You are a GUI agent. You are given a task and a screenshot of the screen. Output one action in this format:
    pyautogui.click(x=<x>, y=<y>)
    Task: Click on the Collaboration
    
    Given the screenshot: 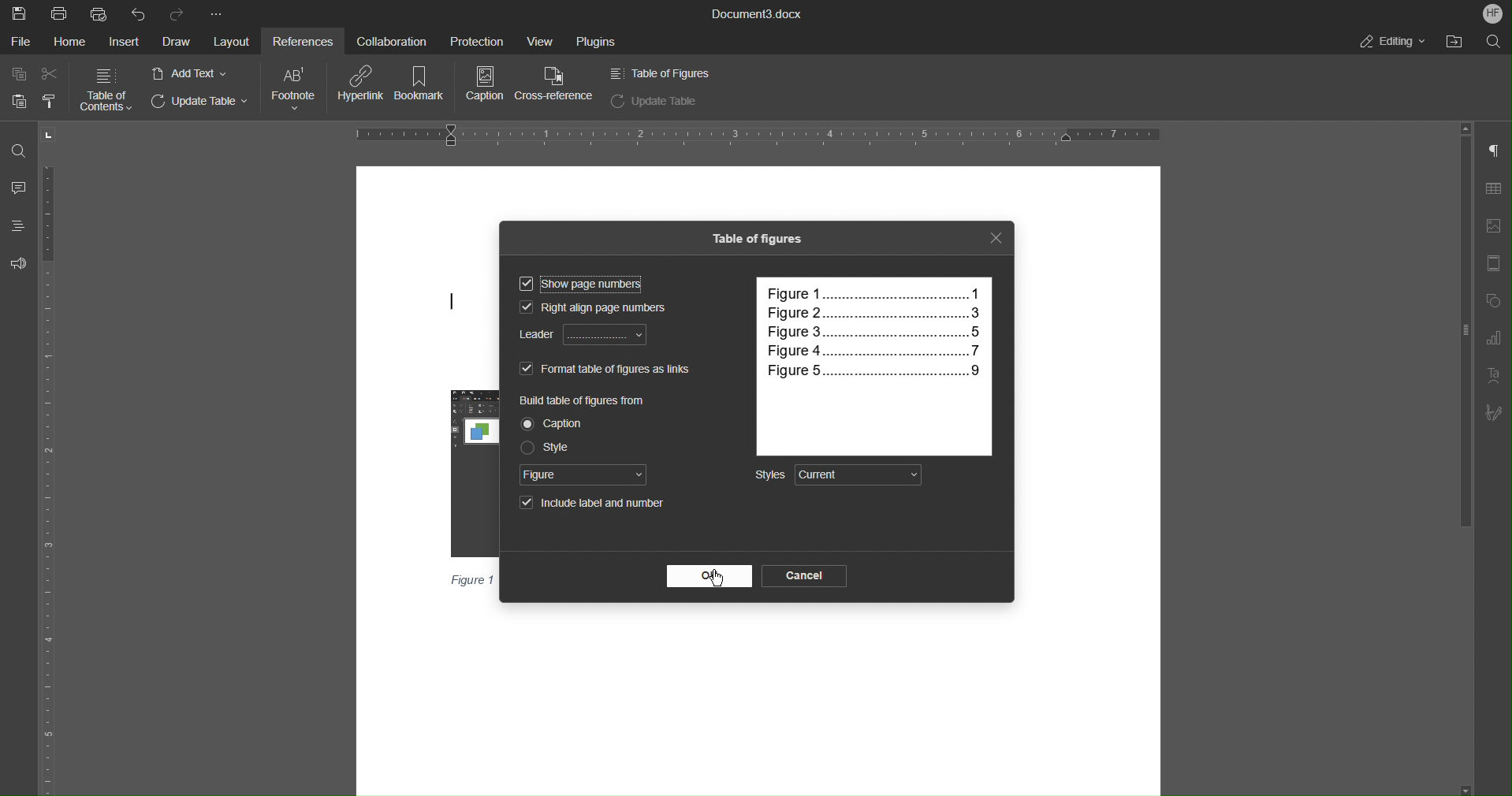 What is the action you would take?
    pyautogui.click(x=389, y=40)
    